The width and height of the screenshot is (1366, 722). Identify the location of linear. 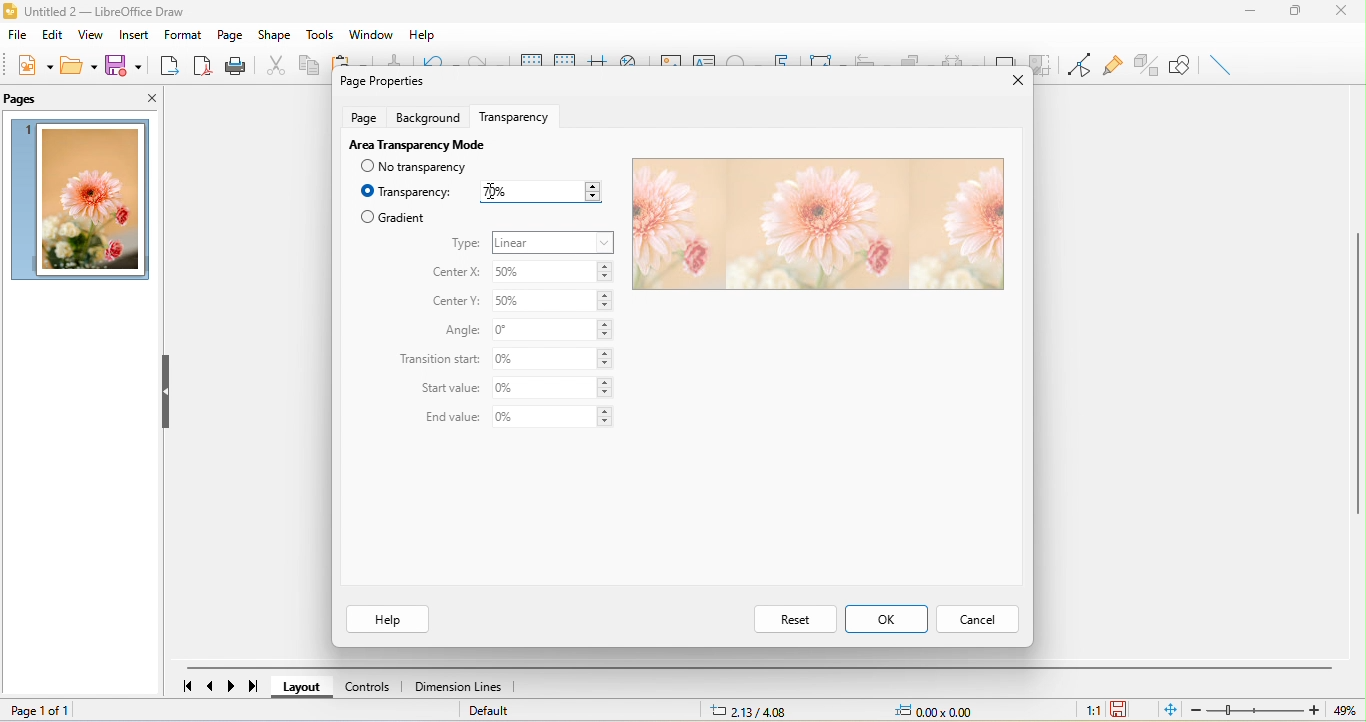
(554, 242).